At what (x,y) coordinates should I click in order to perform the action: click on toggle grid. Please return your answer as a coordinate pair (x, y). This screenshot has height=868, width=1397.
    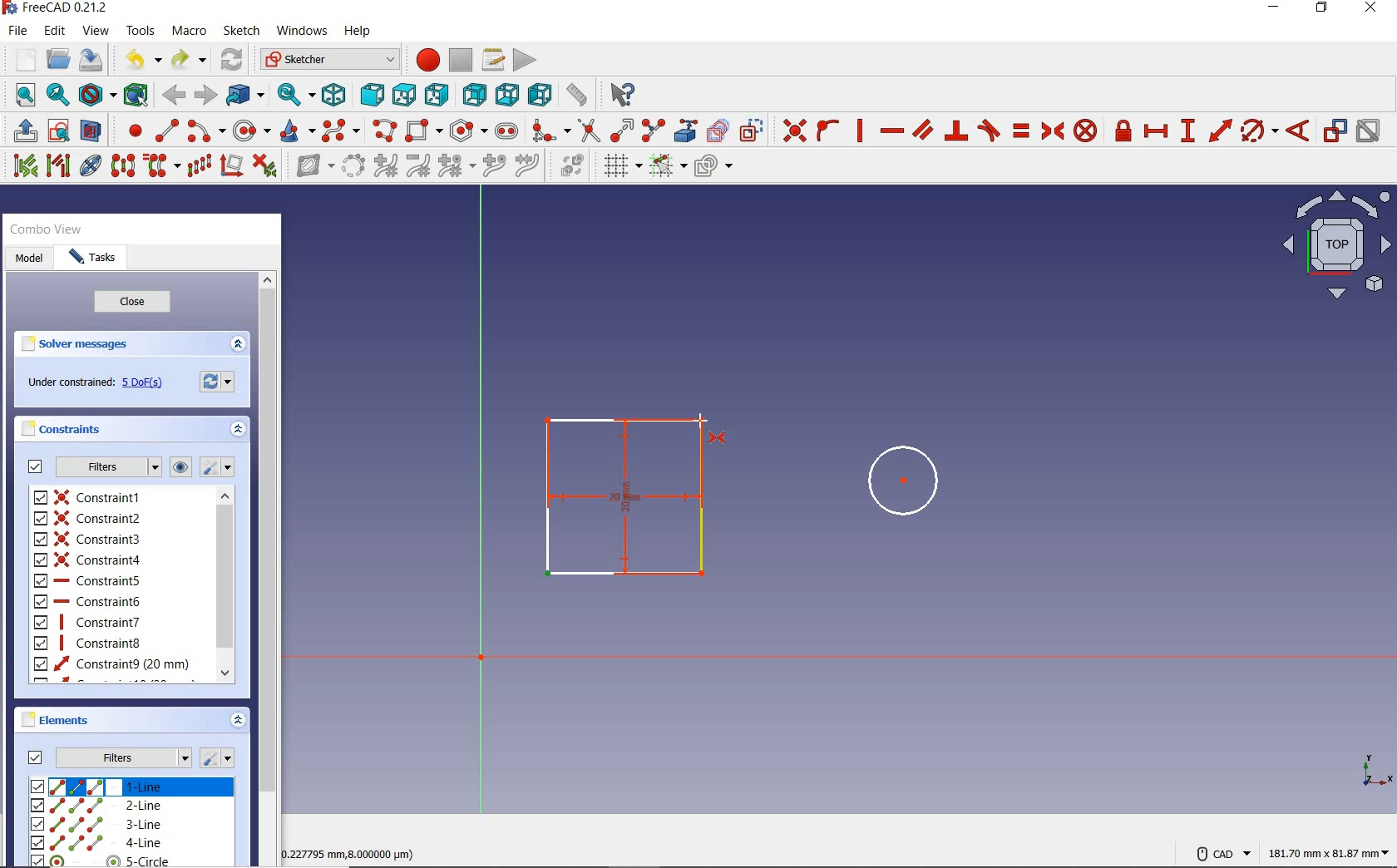
    Looking at the image, I should click on (619, 167).